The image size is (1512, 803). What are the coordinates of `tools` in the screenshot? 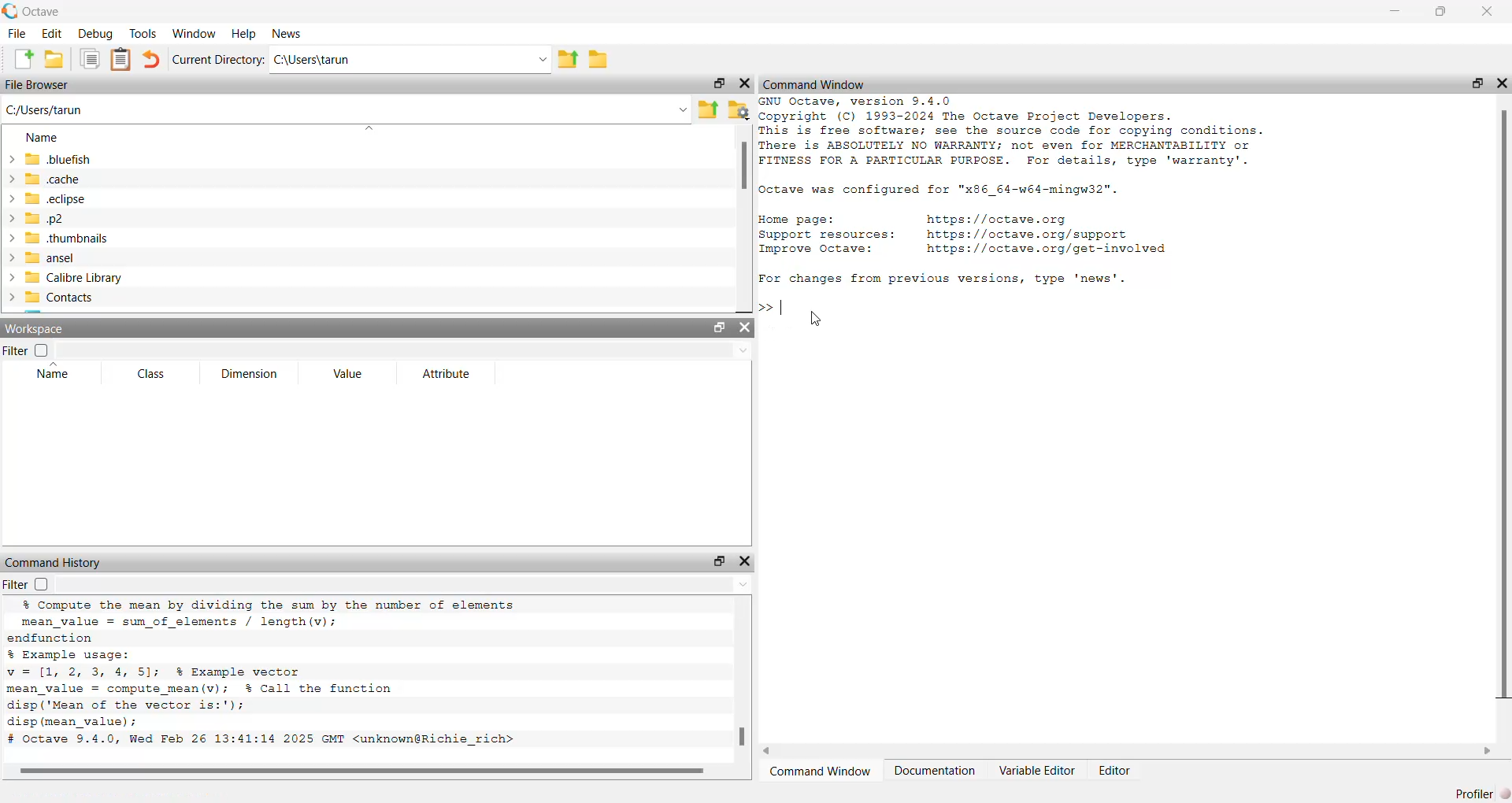 It's located at (144, 32).